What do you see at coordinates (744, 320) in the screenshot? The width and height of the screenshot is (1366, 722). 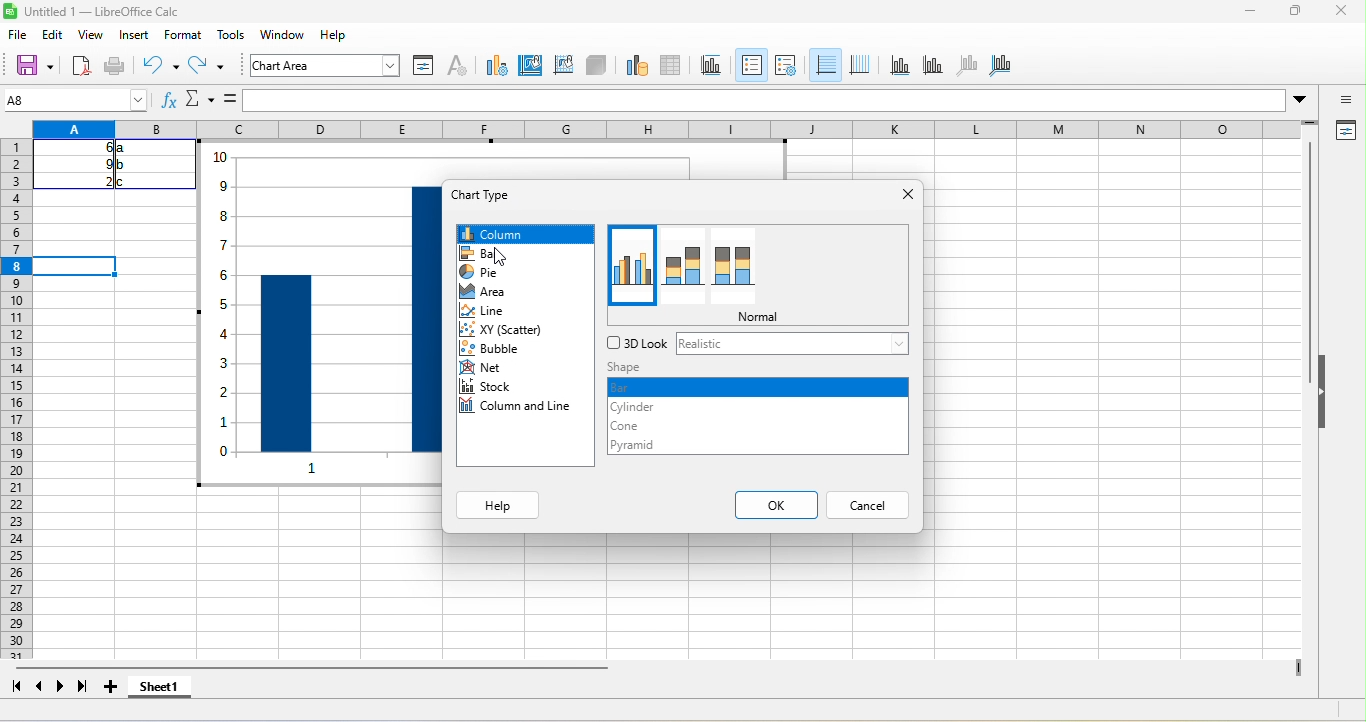 I see `column b` at bounding box center [744, 320].